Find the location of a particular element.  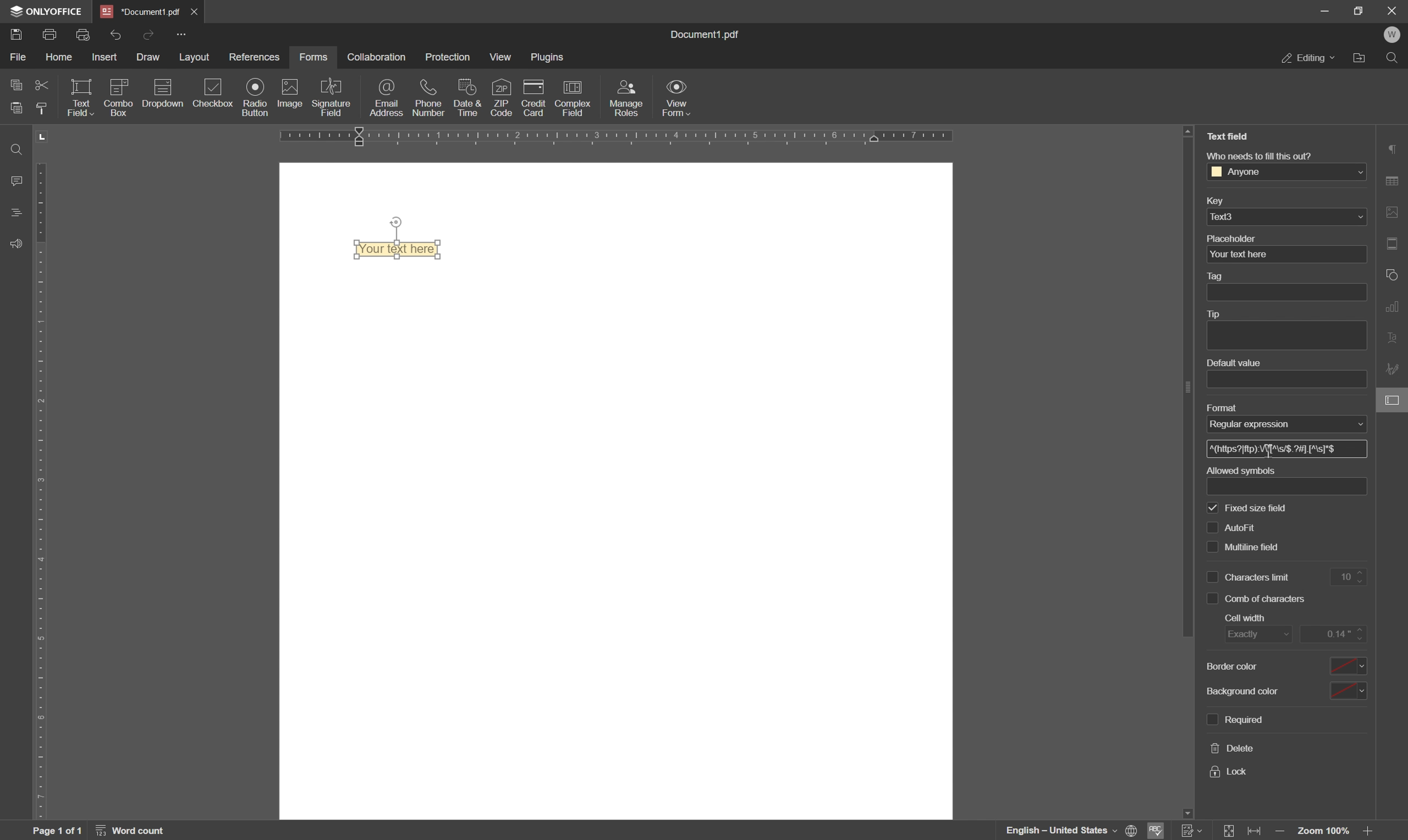

checkbox is located at coordinates (214, 93).